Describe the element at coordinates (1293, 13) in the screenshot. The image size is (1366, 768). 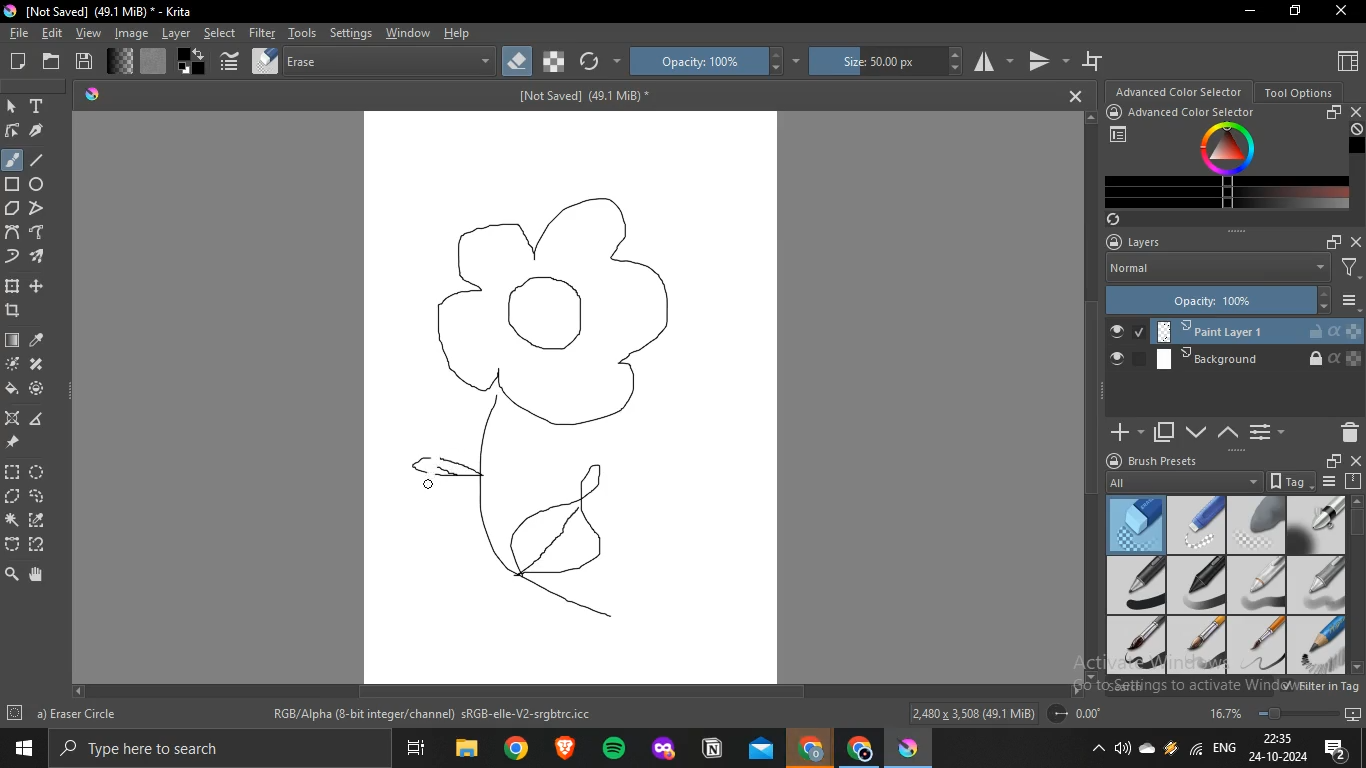
I see `Restore` at that location.